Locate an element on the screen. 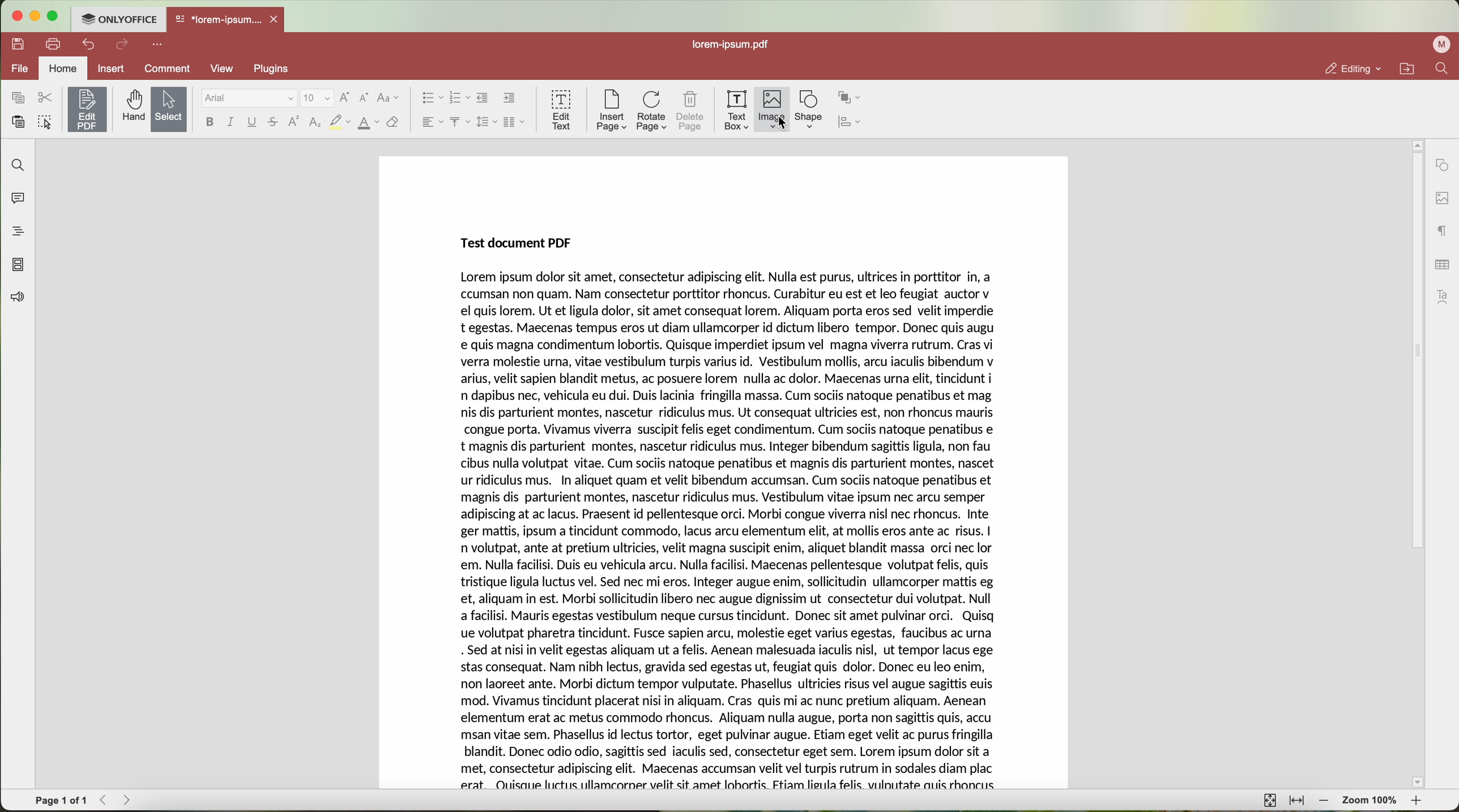 This screenshot has height=812, width=1459. file is located at coordinates (18, 70).